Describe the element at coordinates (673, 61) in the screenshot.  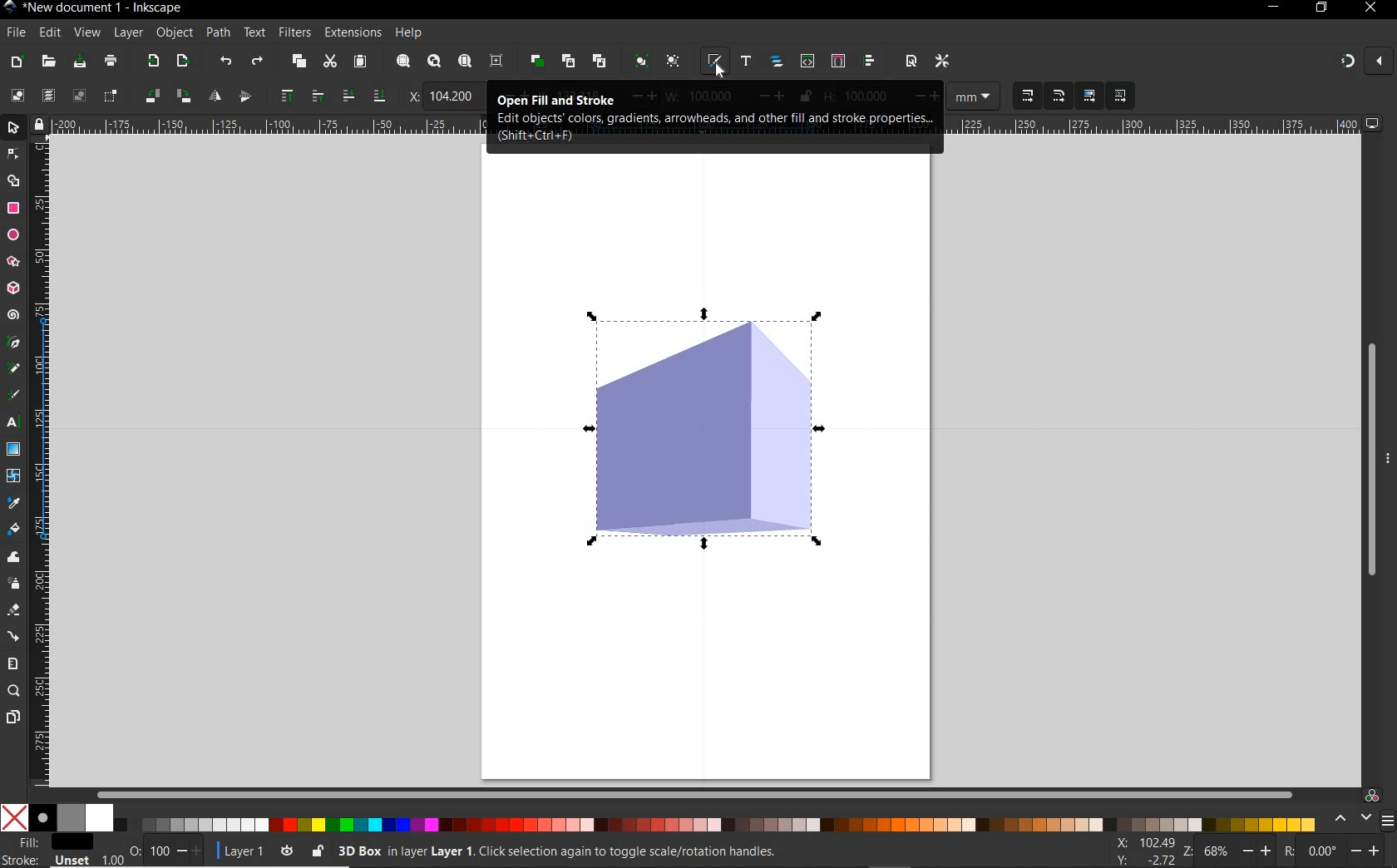
I see `UNGROUP` at that location.